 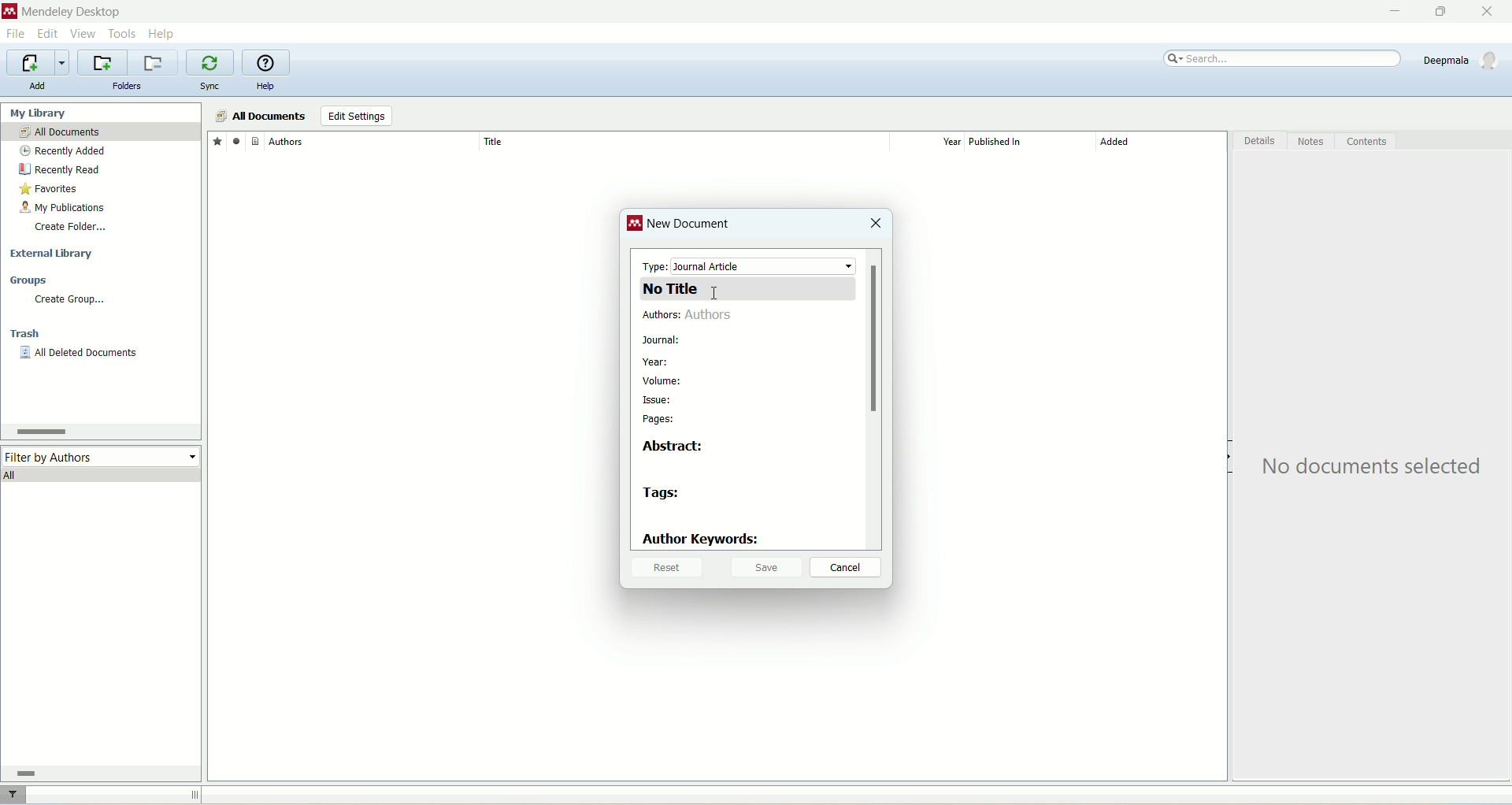 What do you see at coordinates (234, 140) in the screenshot?
I see `read/unread` at bounding box center [234, 140].